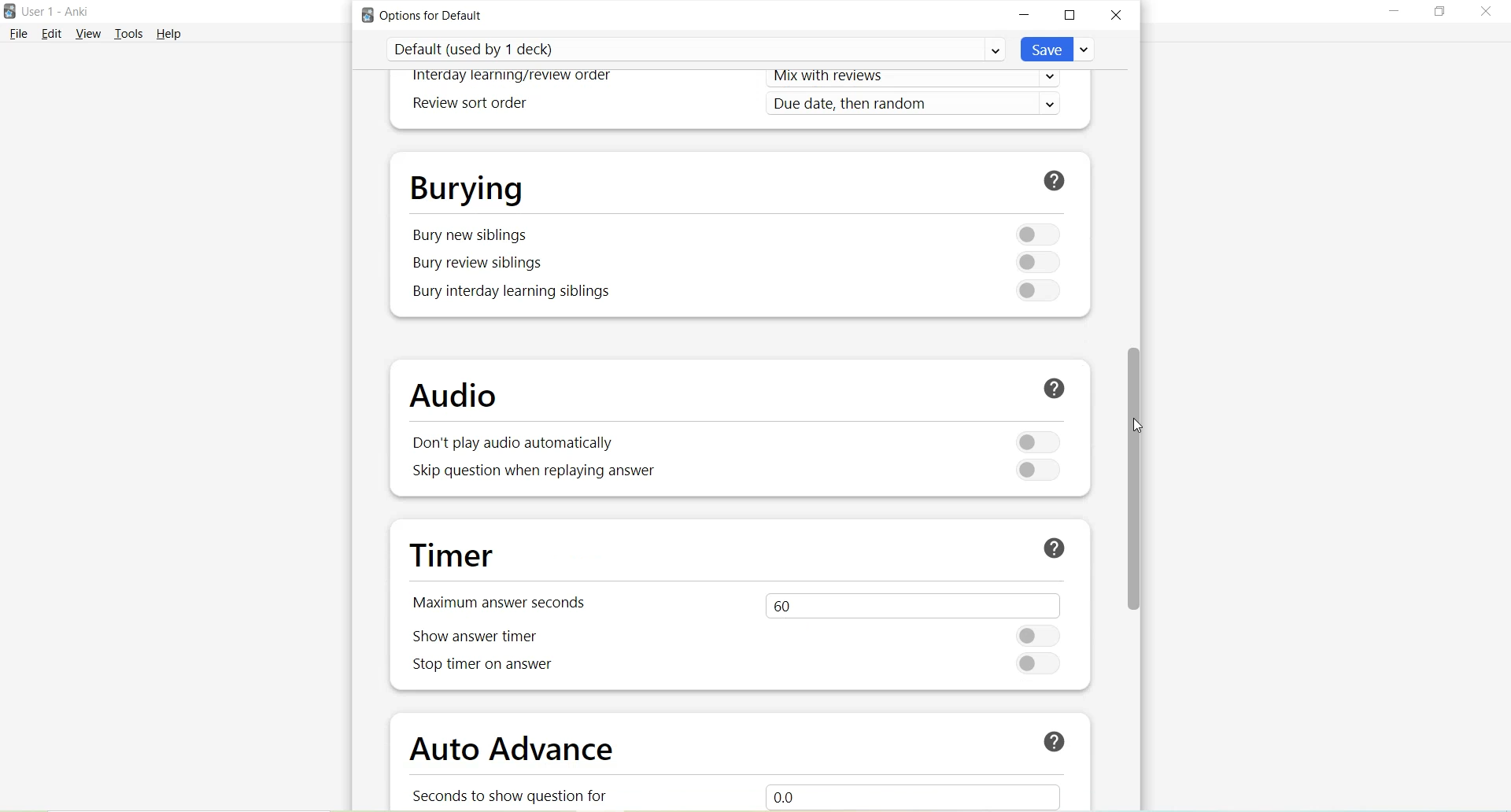  I want to click on Bury interday learning siblings, so click(514, 292).